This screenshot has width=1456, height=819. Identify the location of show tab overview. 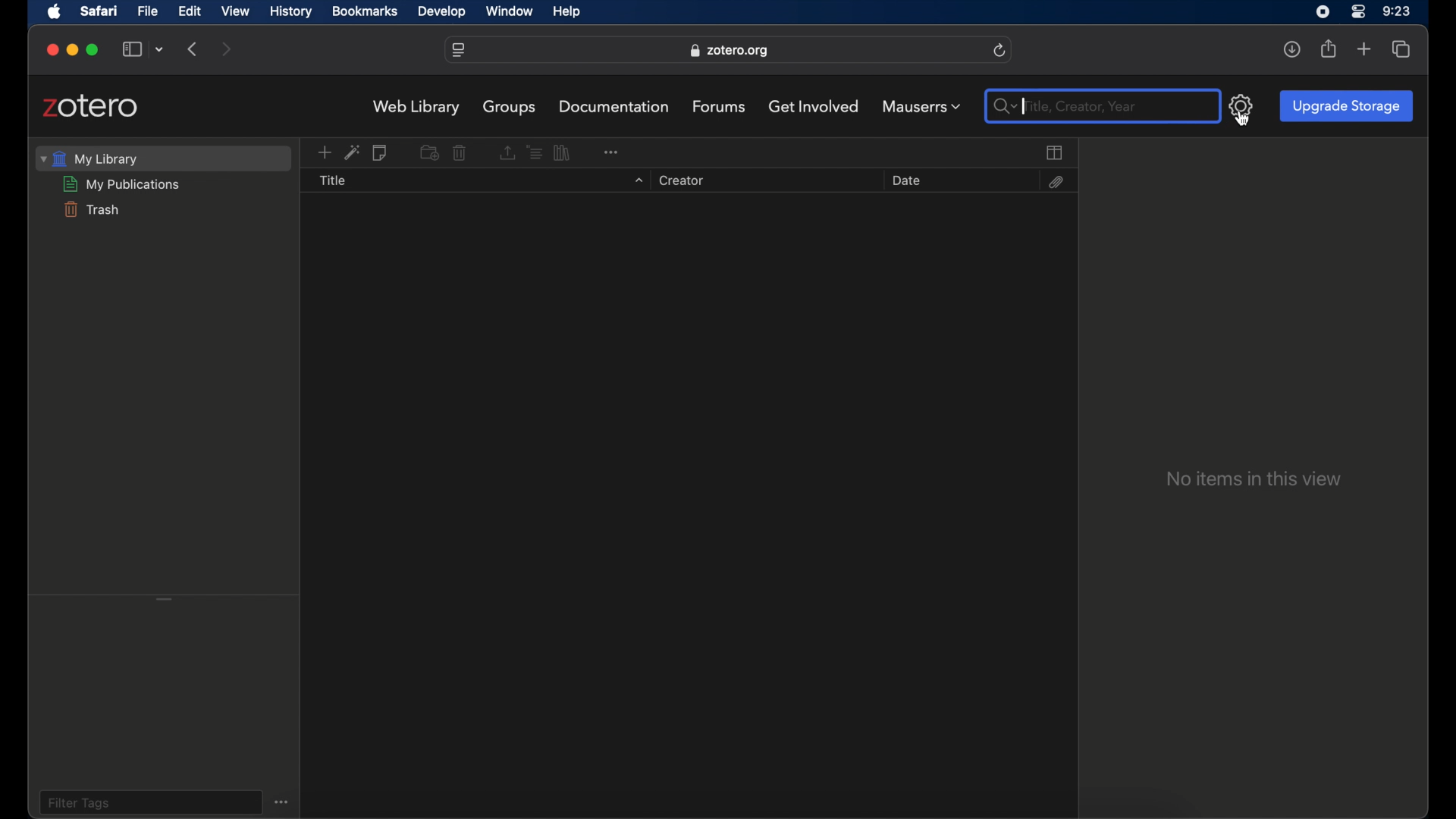
(1401, 49).